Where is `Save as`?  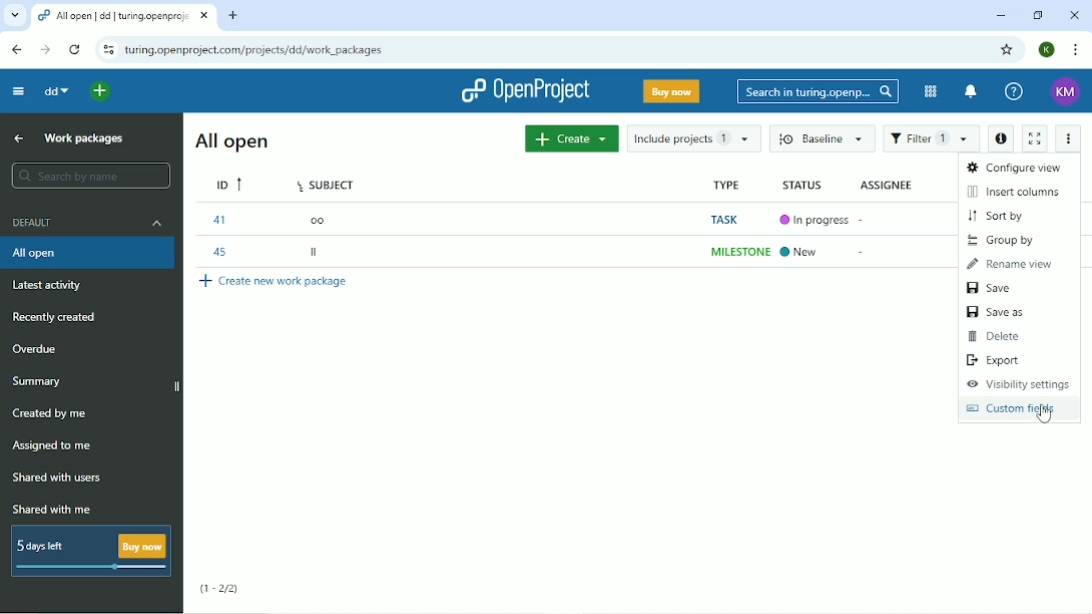 Save as is located at coordinates (1000, 313).